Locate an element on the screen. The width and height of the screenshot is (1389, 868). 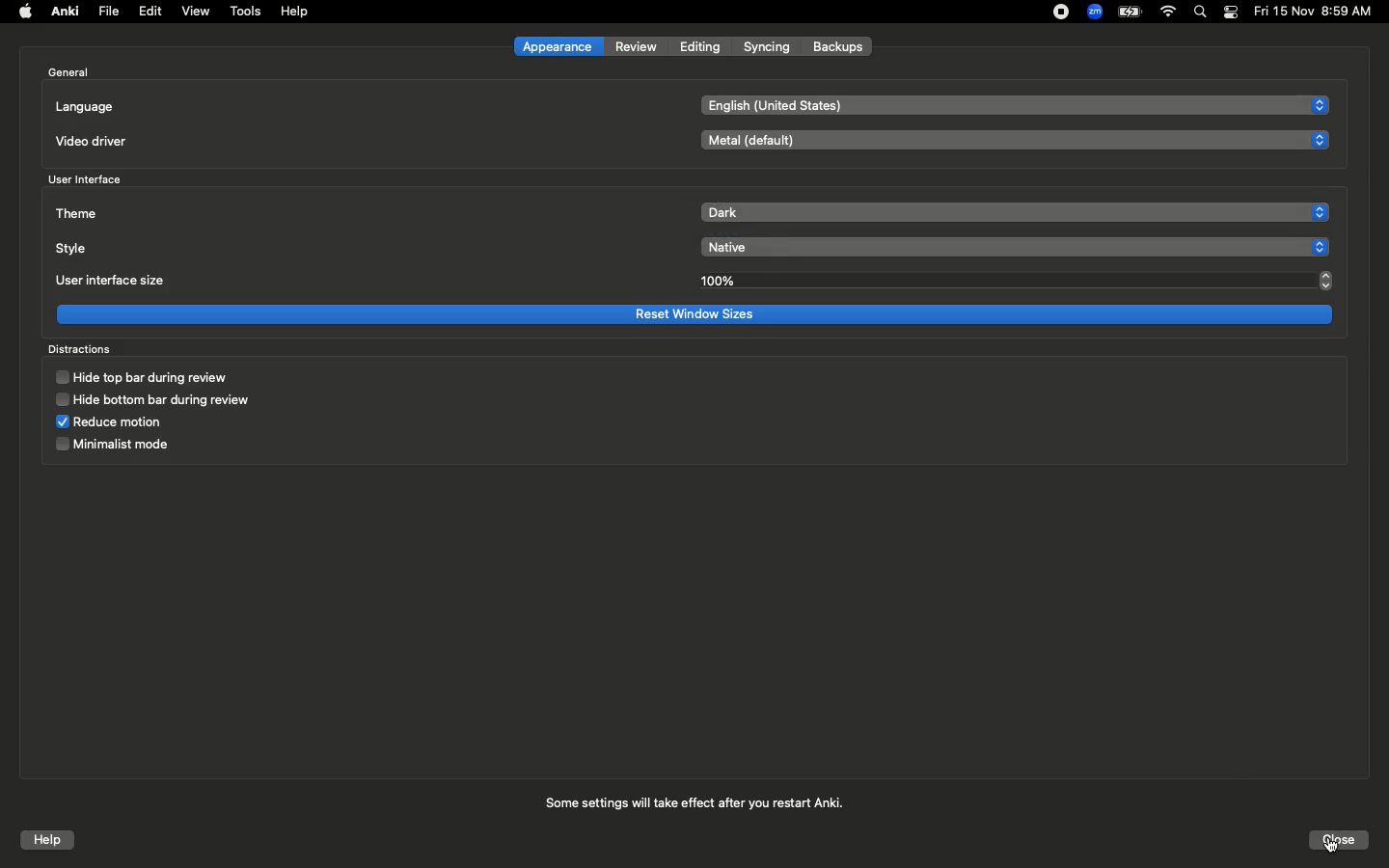
Zoom is located at coordinates (1094, 13).